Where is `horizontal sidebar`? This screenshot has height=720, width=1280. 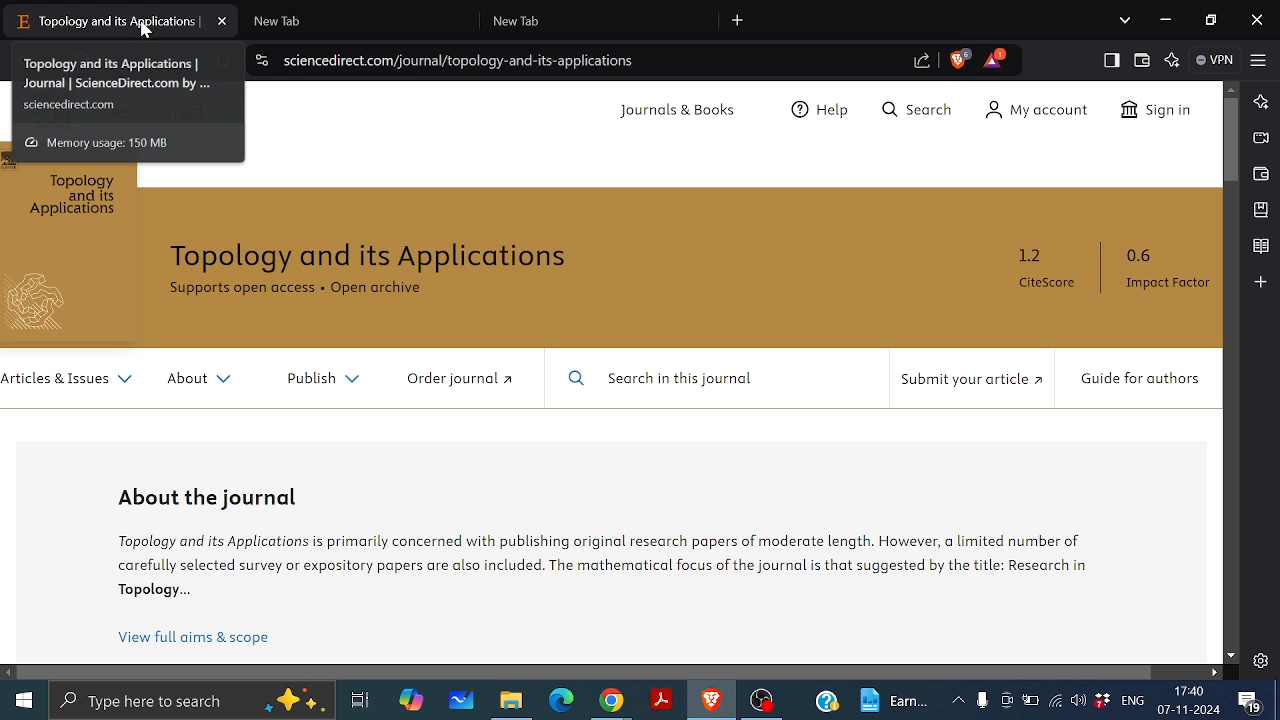
horizontal sidebar is located at coordinates (587, 671).